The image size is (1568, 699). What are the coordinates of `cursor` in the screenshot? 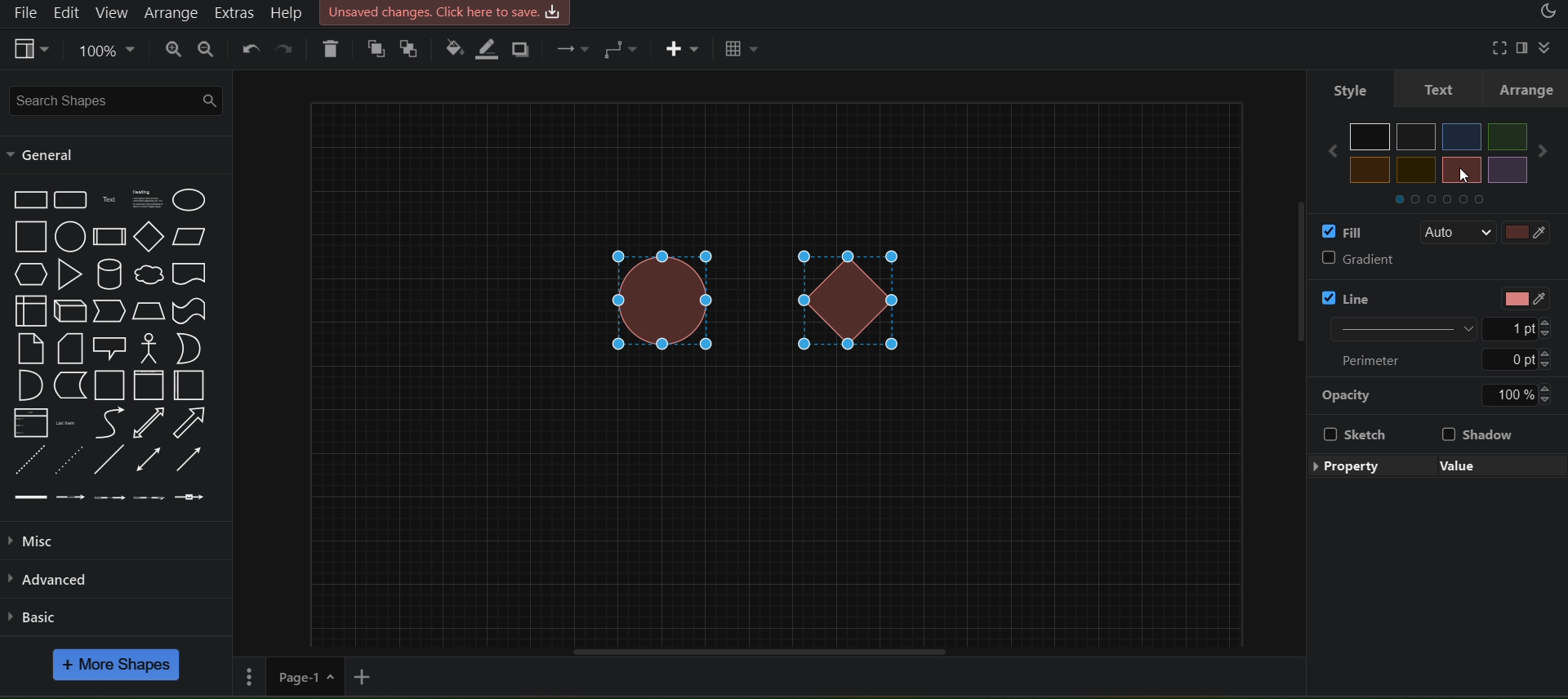 It's located at (1464, 176).